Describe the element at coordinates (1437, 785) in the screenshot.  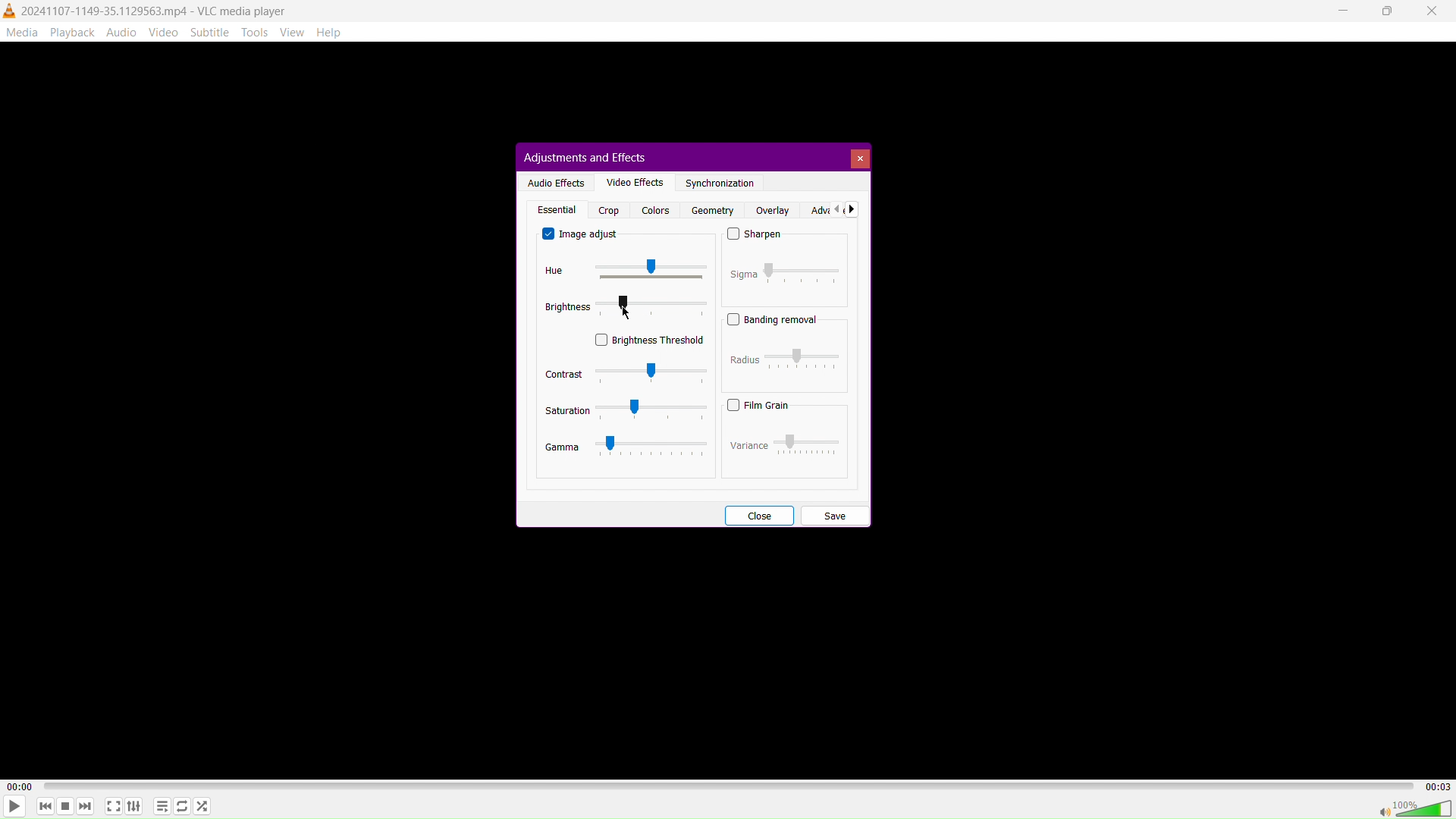
I see `00:03` at that location.